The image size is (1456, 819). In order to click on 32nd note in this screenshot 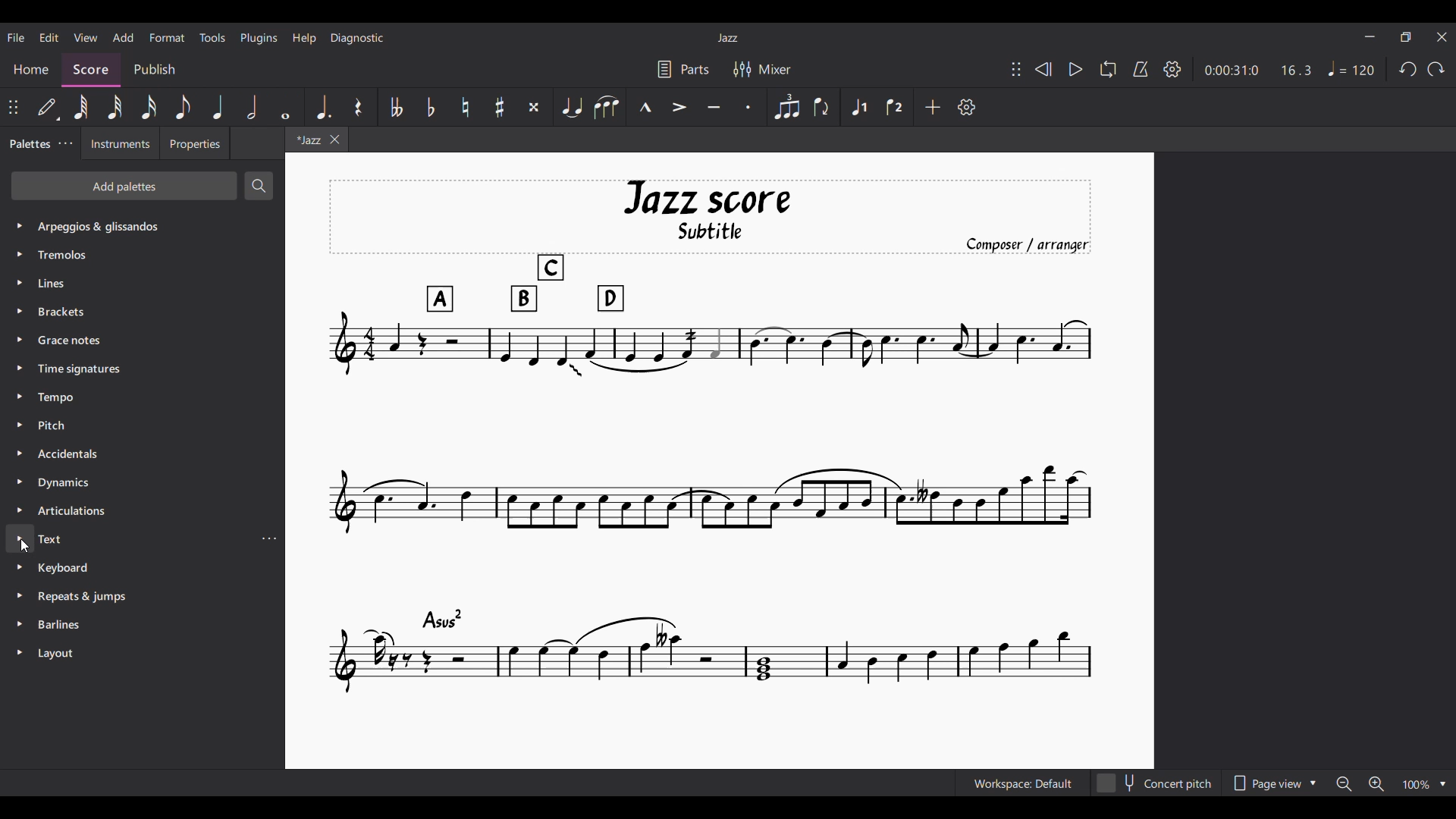, I will do `click(114, 107)`.